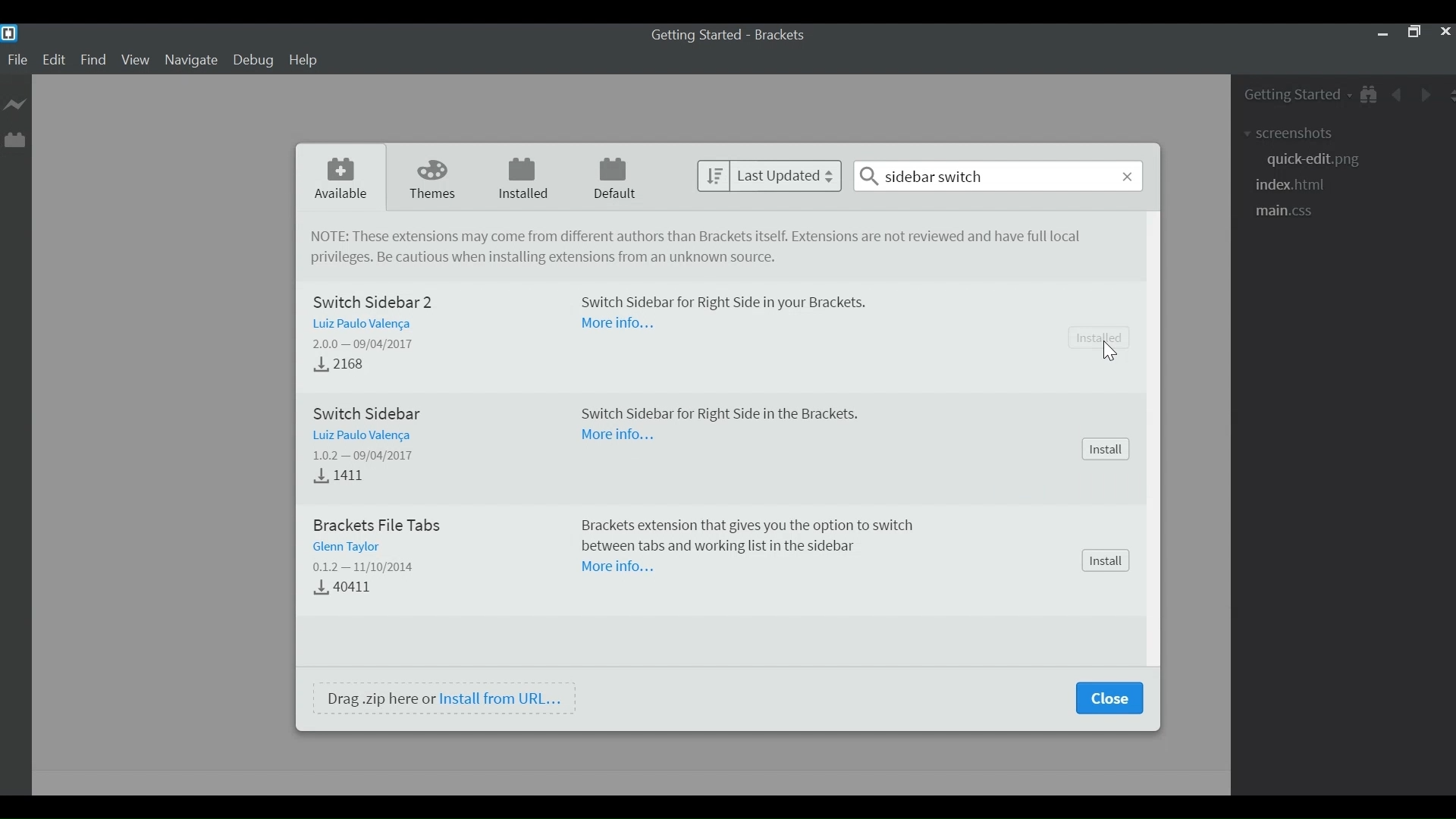 Image resolution: width=1456 pixels, height=819 pixels. Describe the element at coordinates (616, 180) in the screenshot. I see `Default ` at that location.